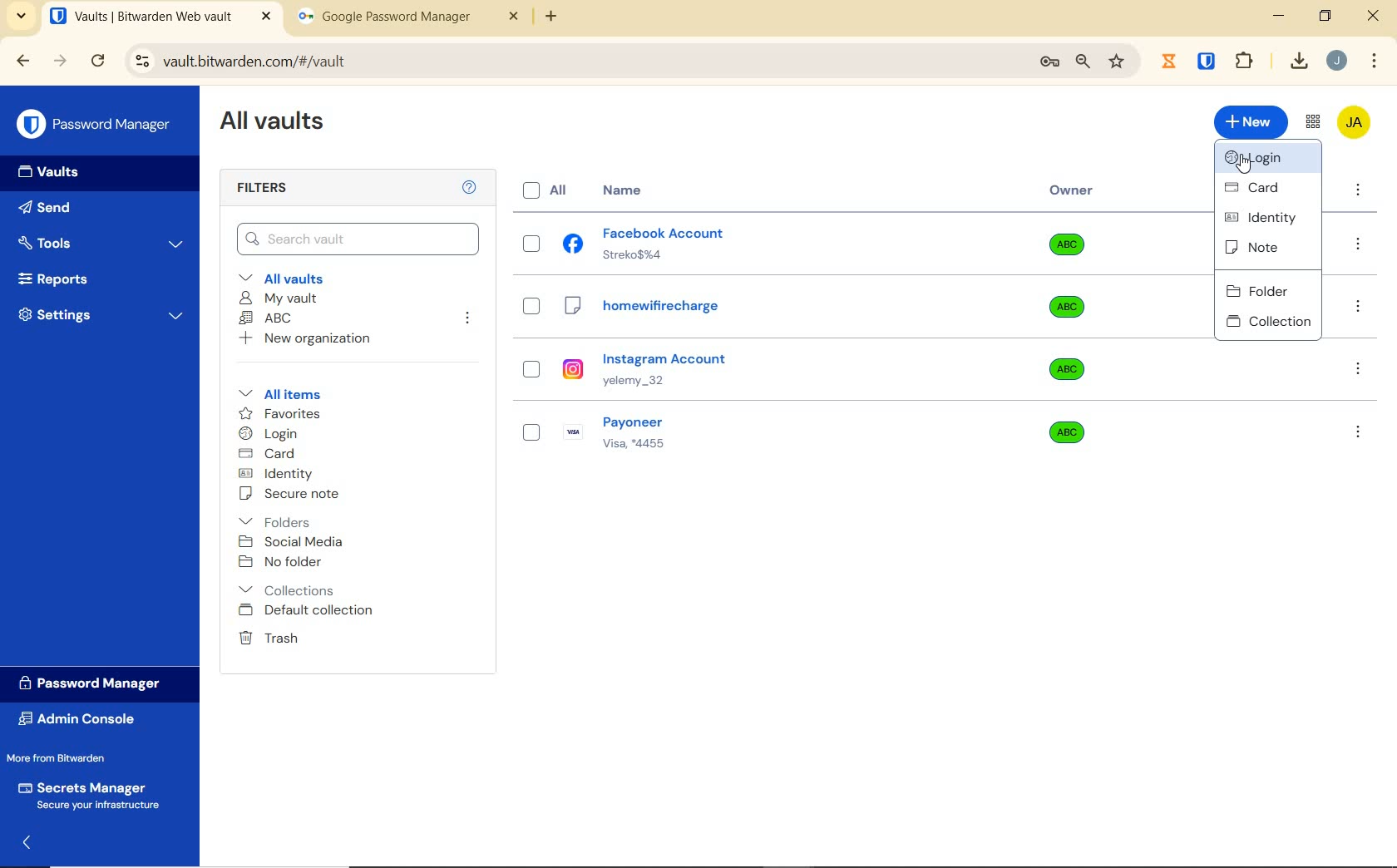 Image resolution: width=1397 pixels, height=868 pixels. What do you see at coordinates (61, 61) in the screenshot?
I see `forward` at bounding box center [61, 61].